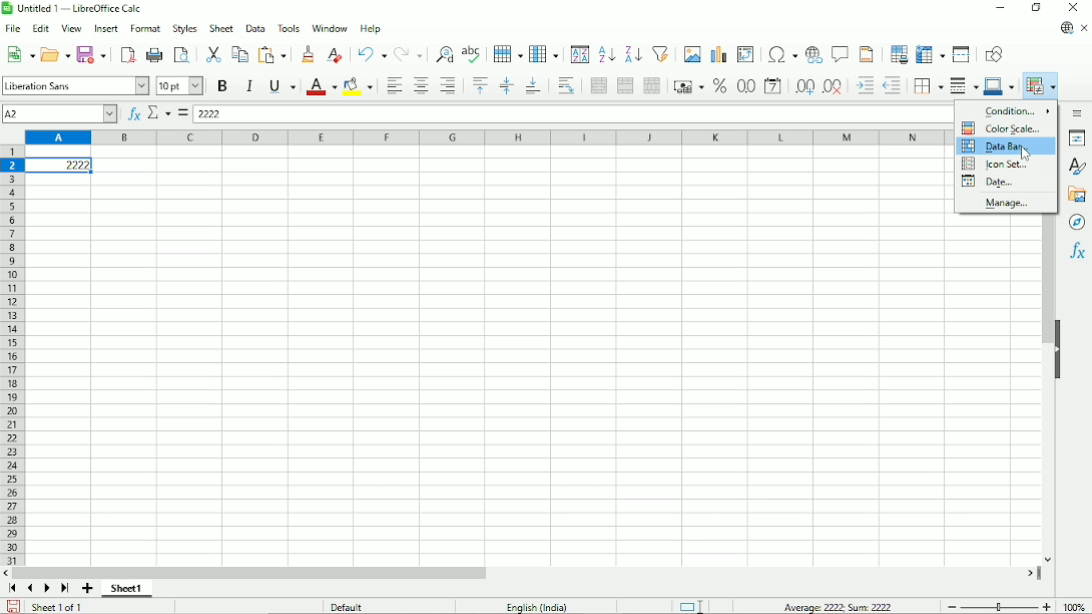 The width and height of the screenshot is (1092, 614). Describe the element at coordinates (1038, 7) in the screenshot. I see `Restore down` at that location.